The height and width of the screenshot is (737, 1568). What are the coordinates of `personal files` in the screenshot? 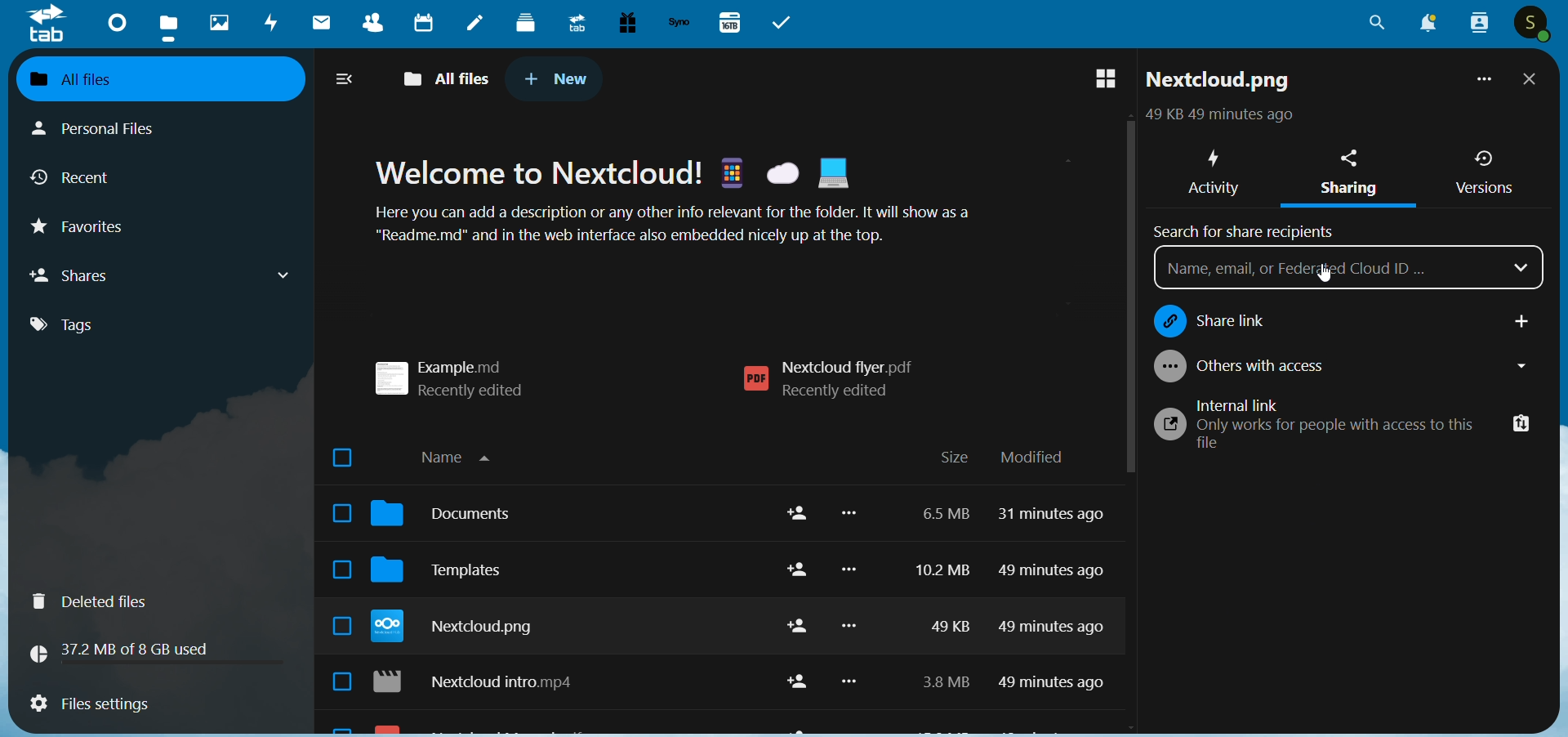 It's located at (111, 127).